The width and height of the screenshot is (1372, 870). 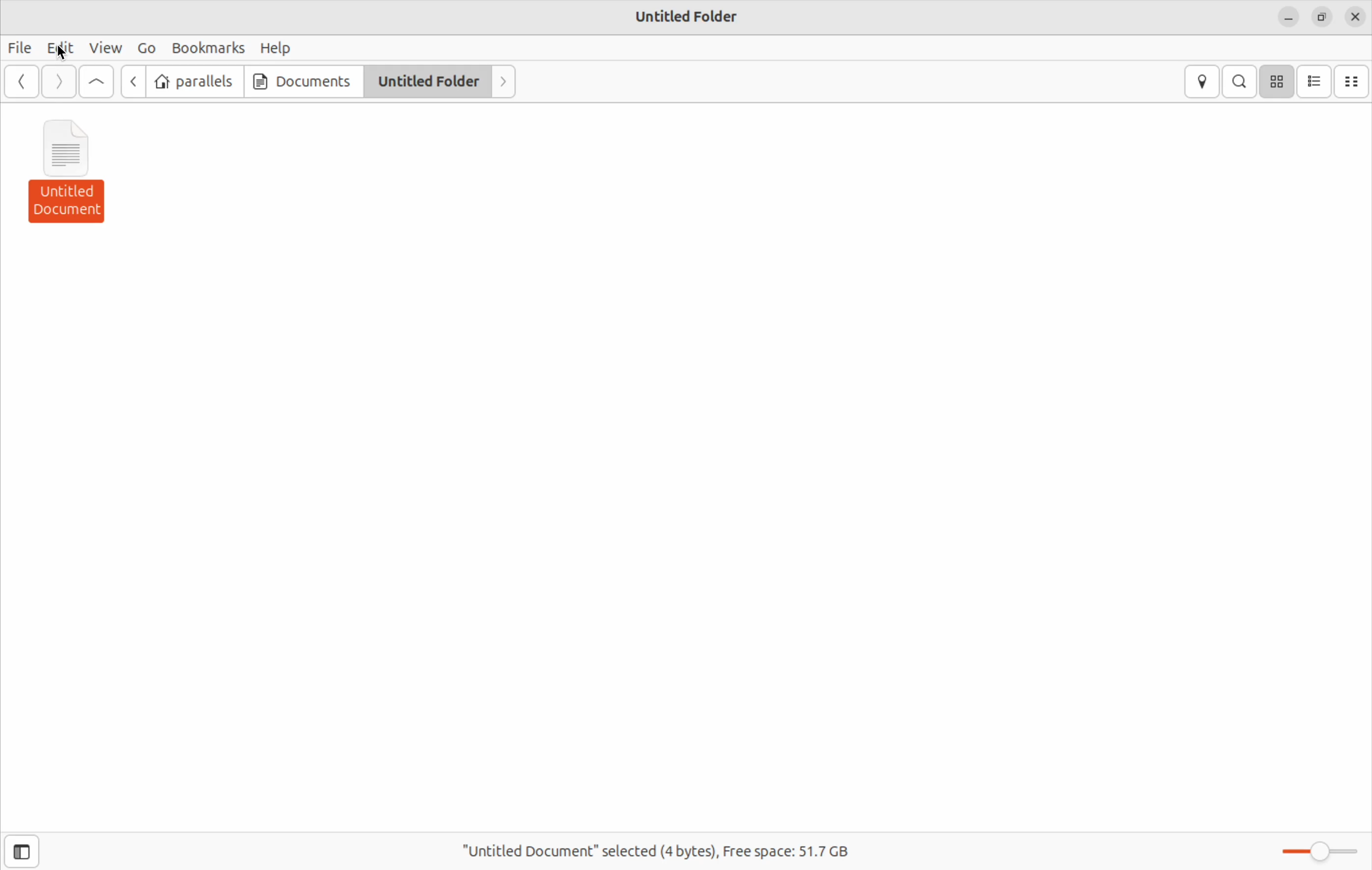 I want to click on cursor, so click(x=60, y=54).